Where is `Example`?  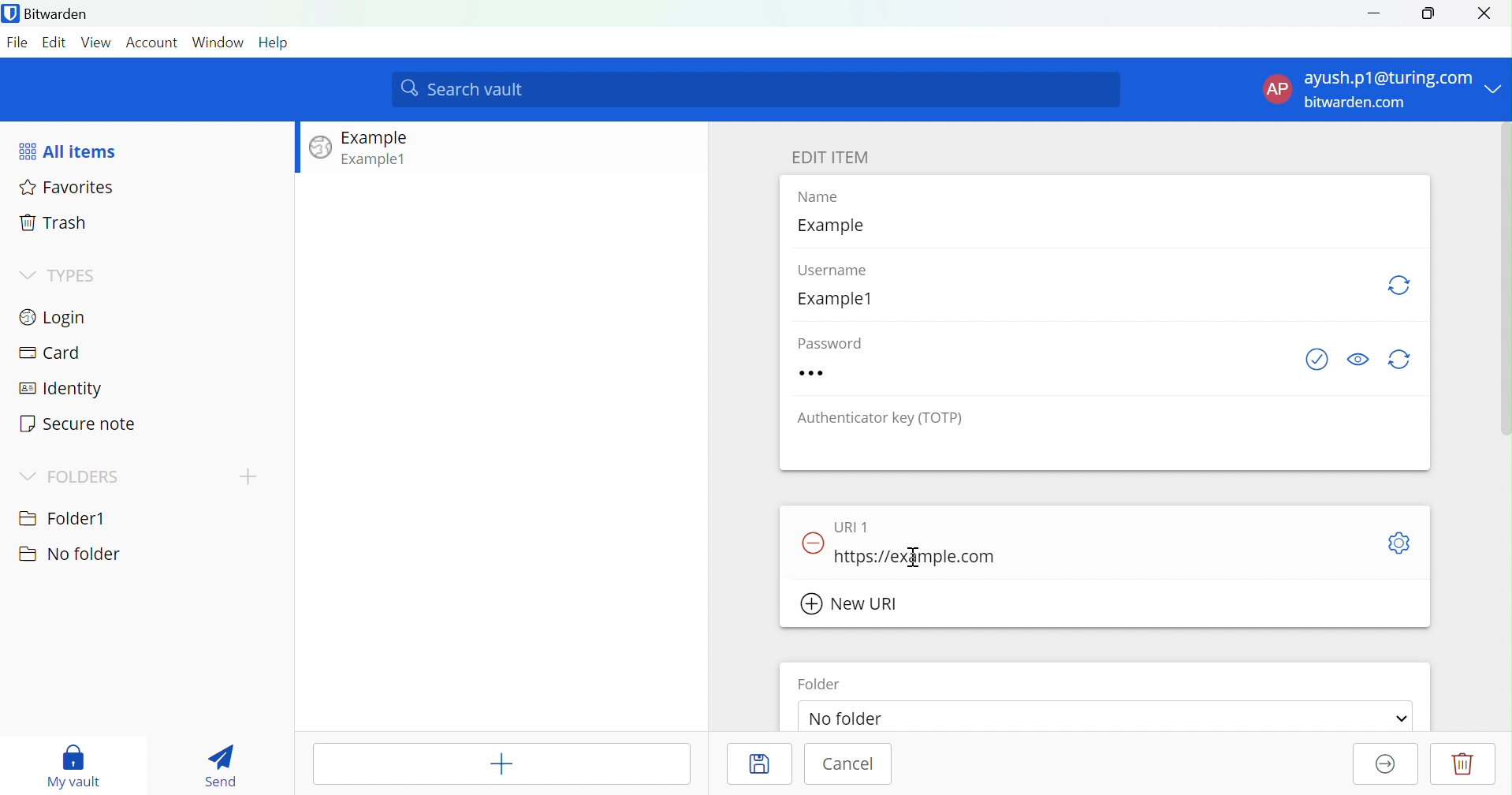
Example is located at coordinates (378, 138).